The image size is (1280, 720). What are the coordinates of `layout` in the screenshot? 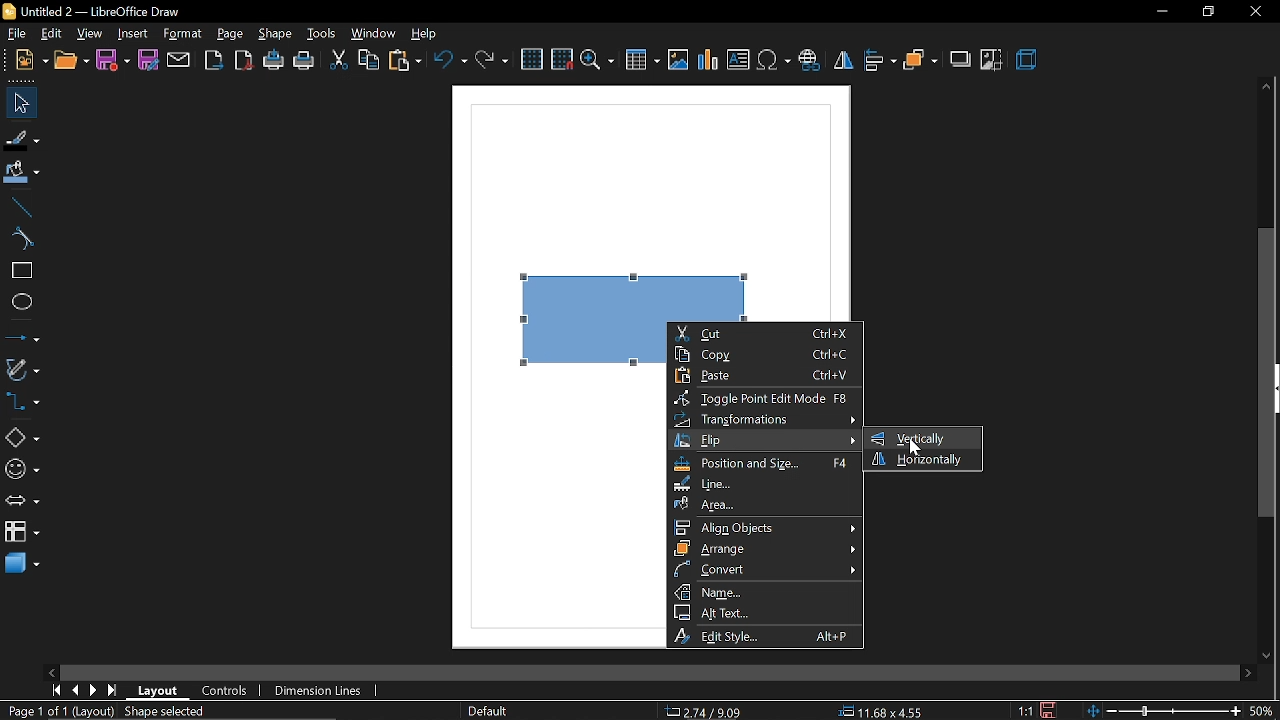 It's located at (158, 691).